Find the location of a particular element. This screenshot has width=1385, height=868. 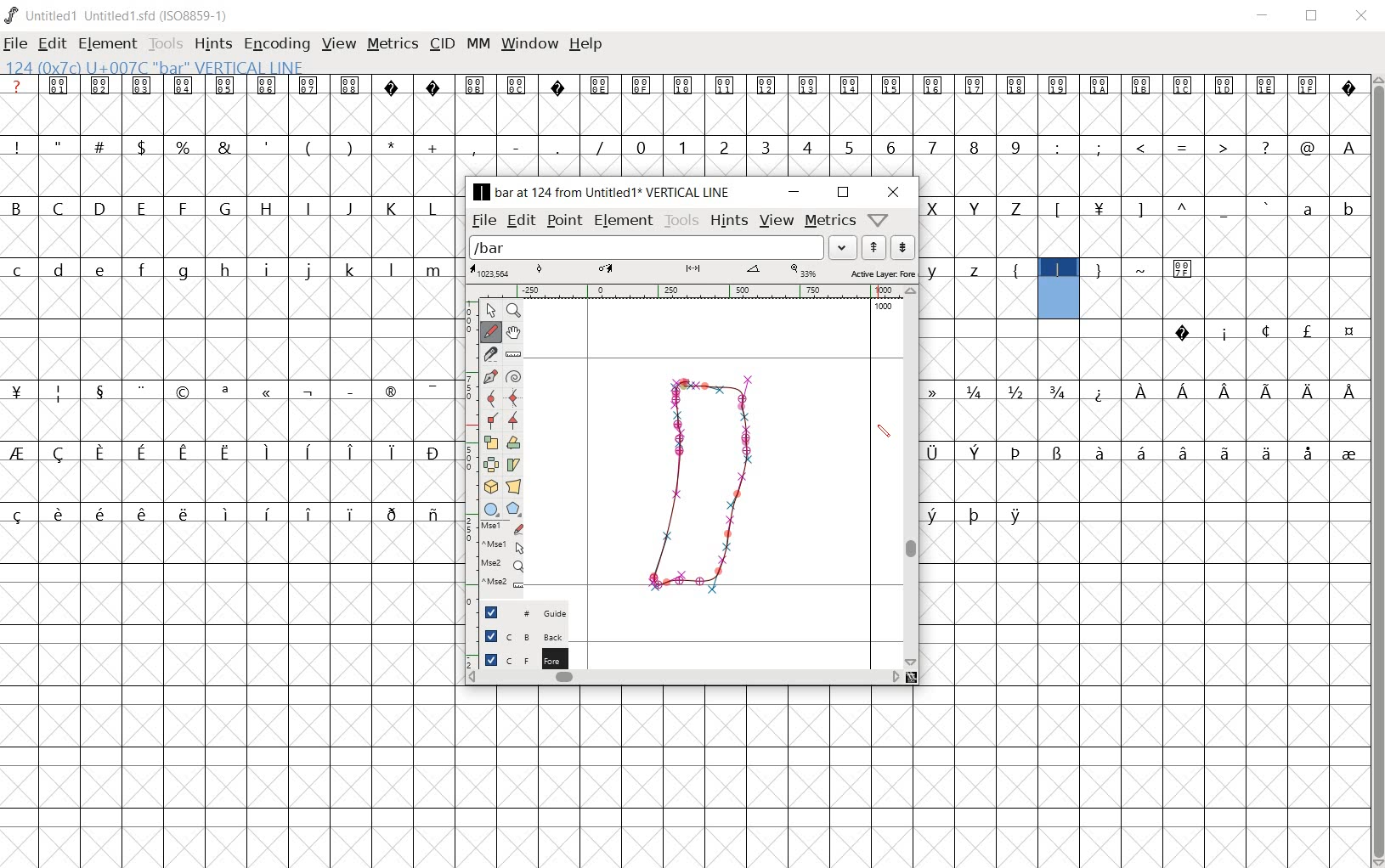

guide is located at coordinates (517, 613).